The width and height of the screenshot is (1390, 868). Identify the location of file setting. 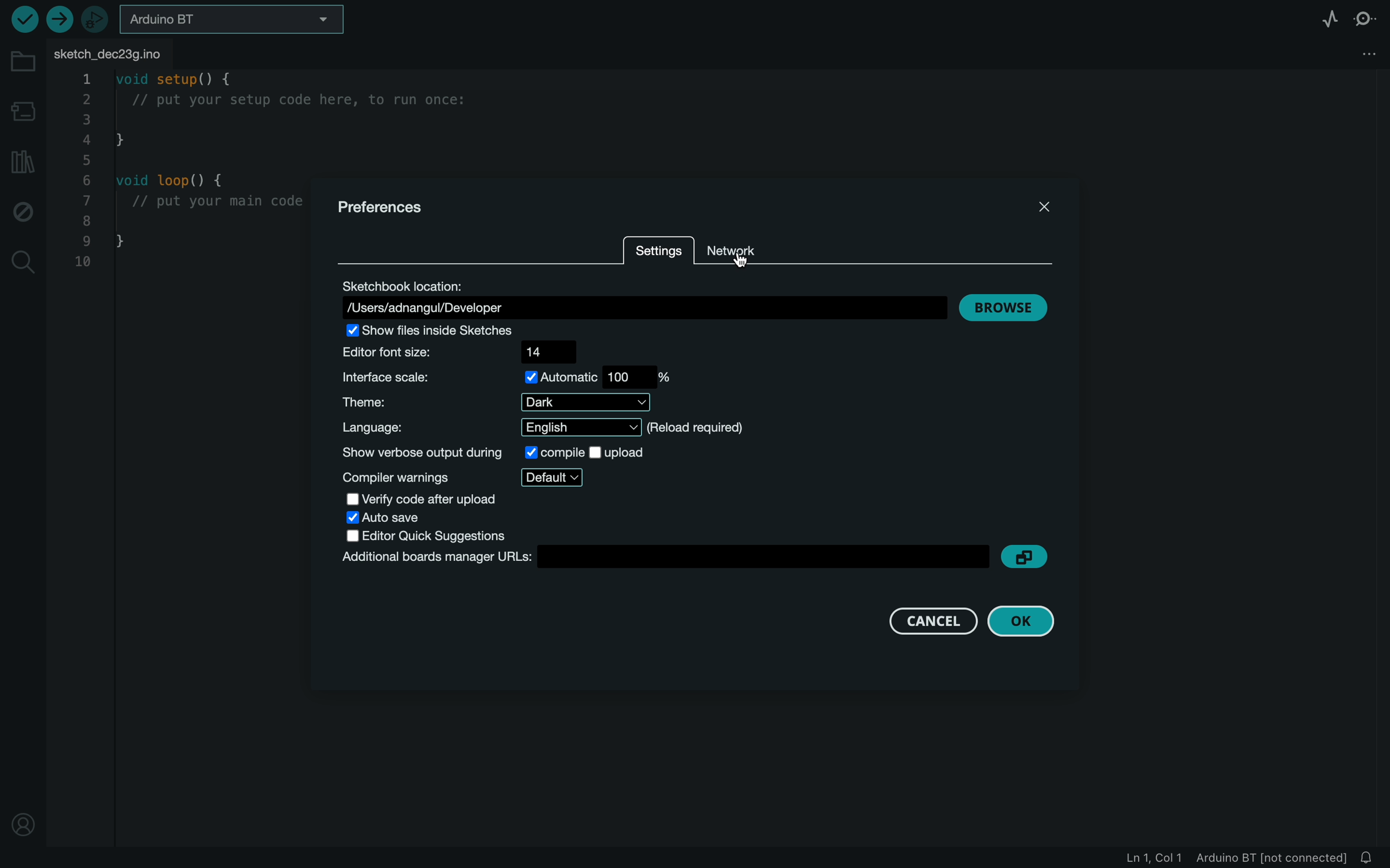
(1349, 51).